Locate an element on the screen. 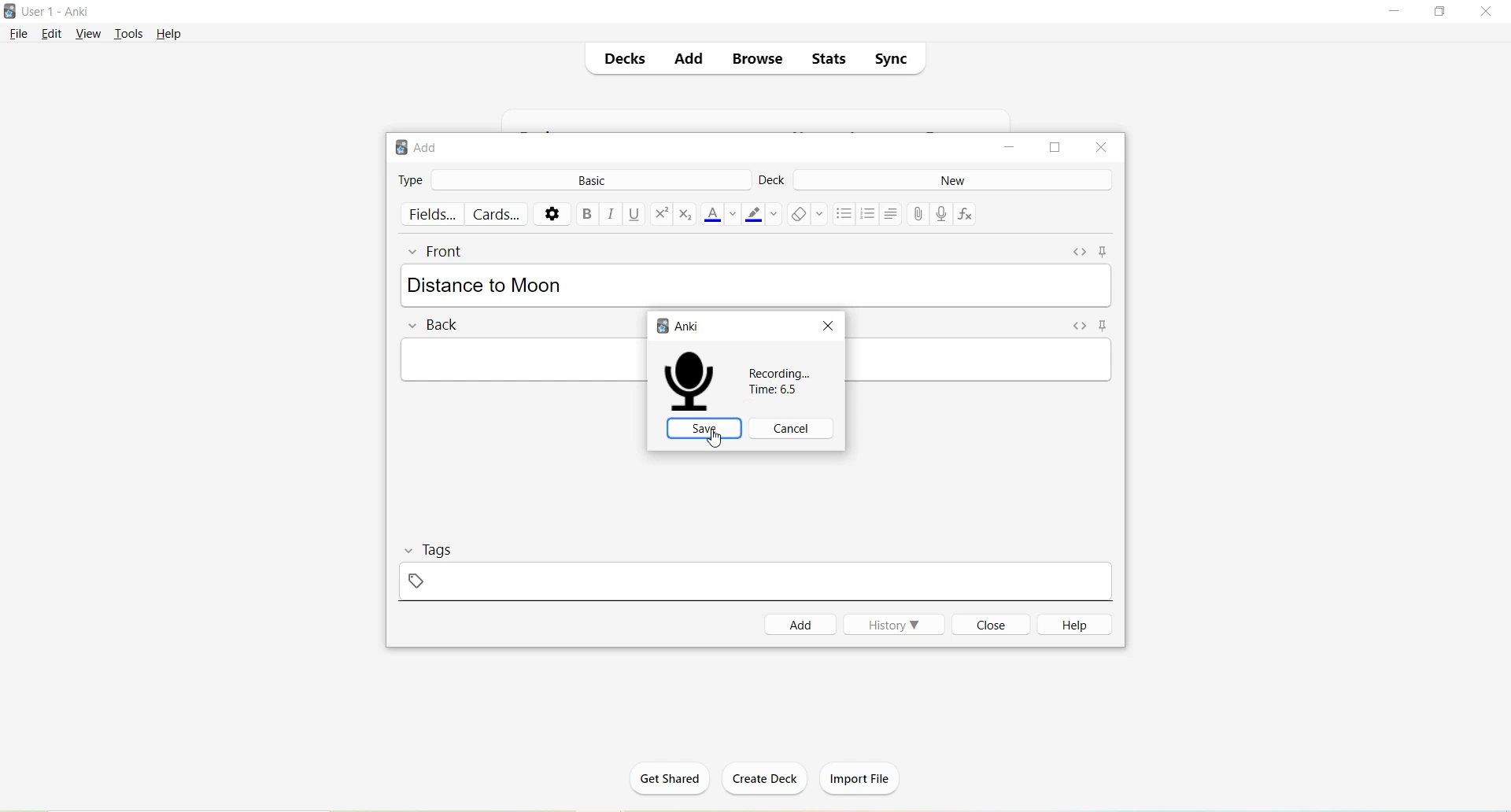 Image resolution: width=1511 pixels, height=812 pixels. Edit is located at coordinates (56, 35).